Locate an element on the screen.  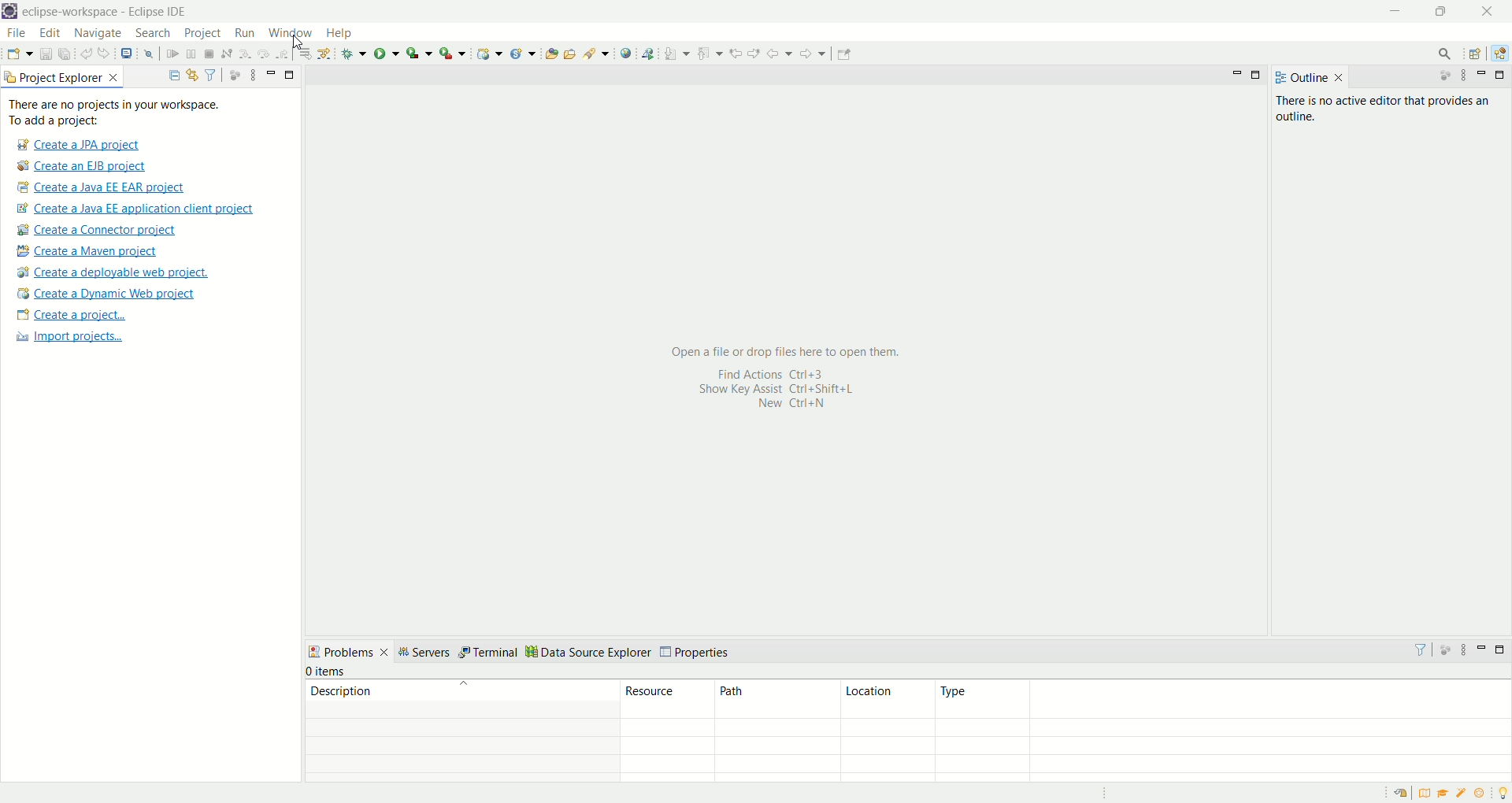
items is located at coordinates (330, 672).